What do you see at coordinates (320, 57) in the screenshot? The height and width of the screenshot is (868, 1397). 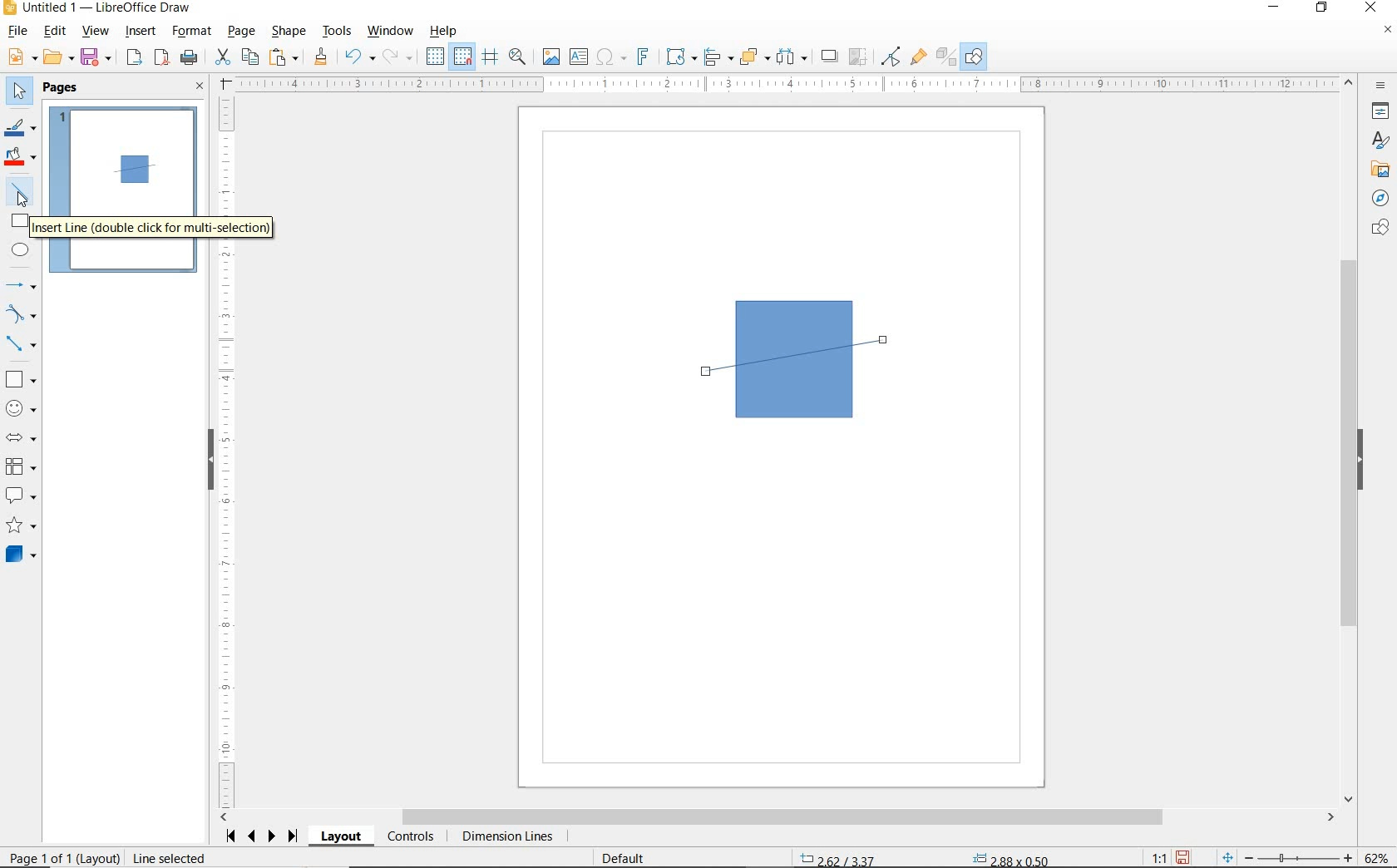 I see `CLONE FORMATTING` at bounding box center [320, 57].